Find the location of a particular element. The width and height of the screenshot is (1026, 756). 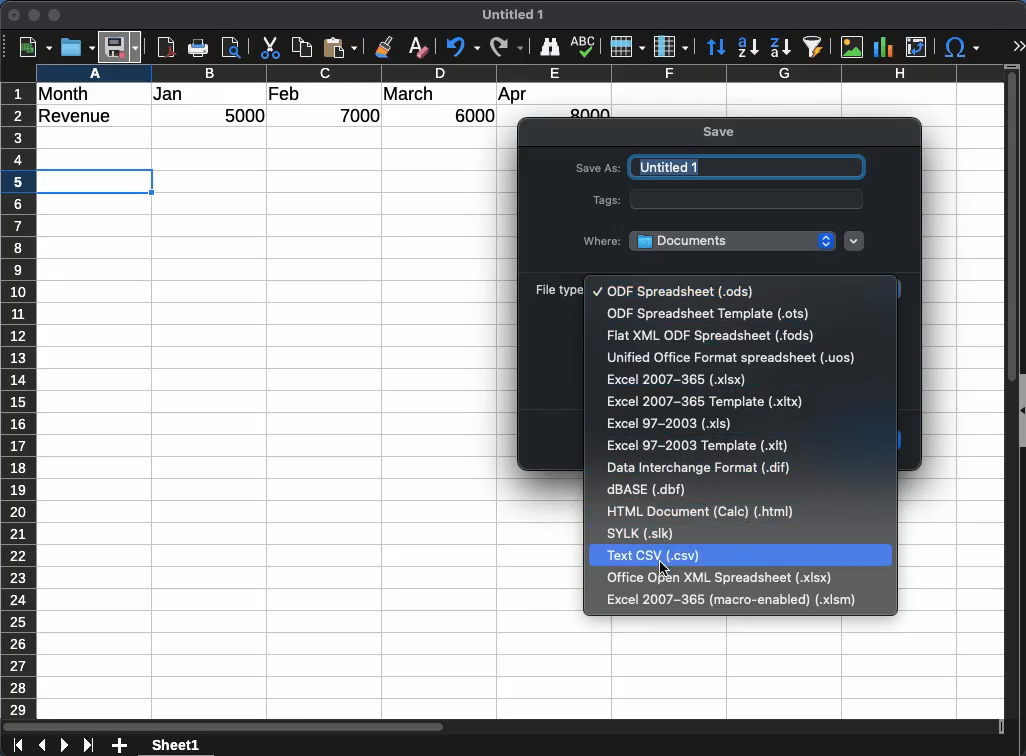

sheet 1 is located at coordinates (194, 745).